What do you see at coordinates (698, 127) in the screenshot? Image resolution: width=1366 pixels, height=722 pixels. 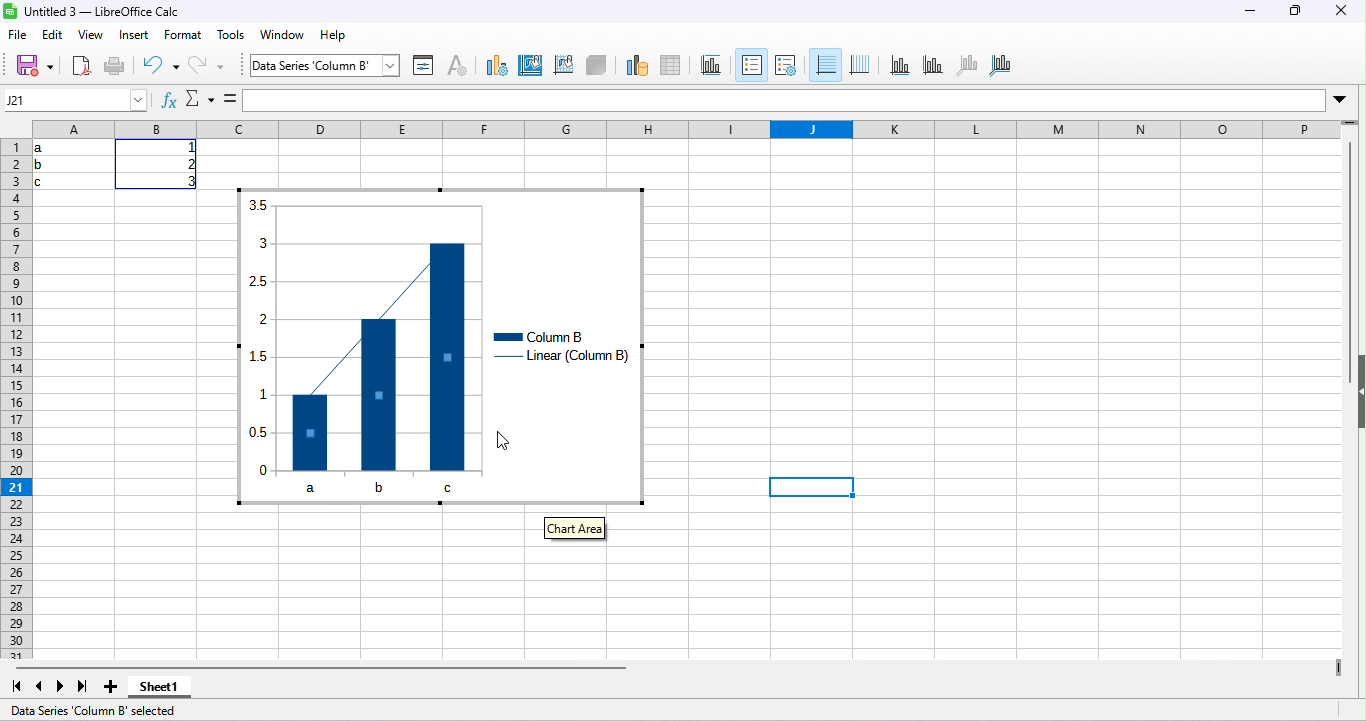 I see `column headings` at bounding box center [698, 127].